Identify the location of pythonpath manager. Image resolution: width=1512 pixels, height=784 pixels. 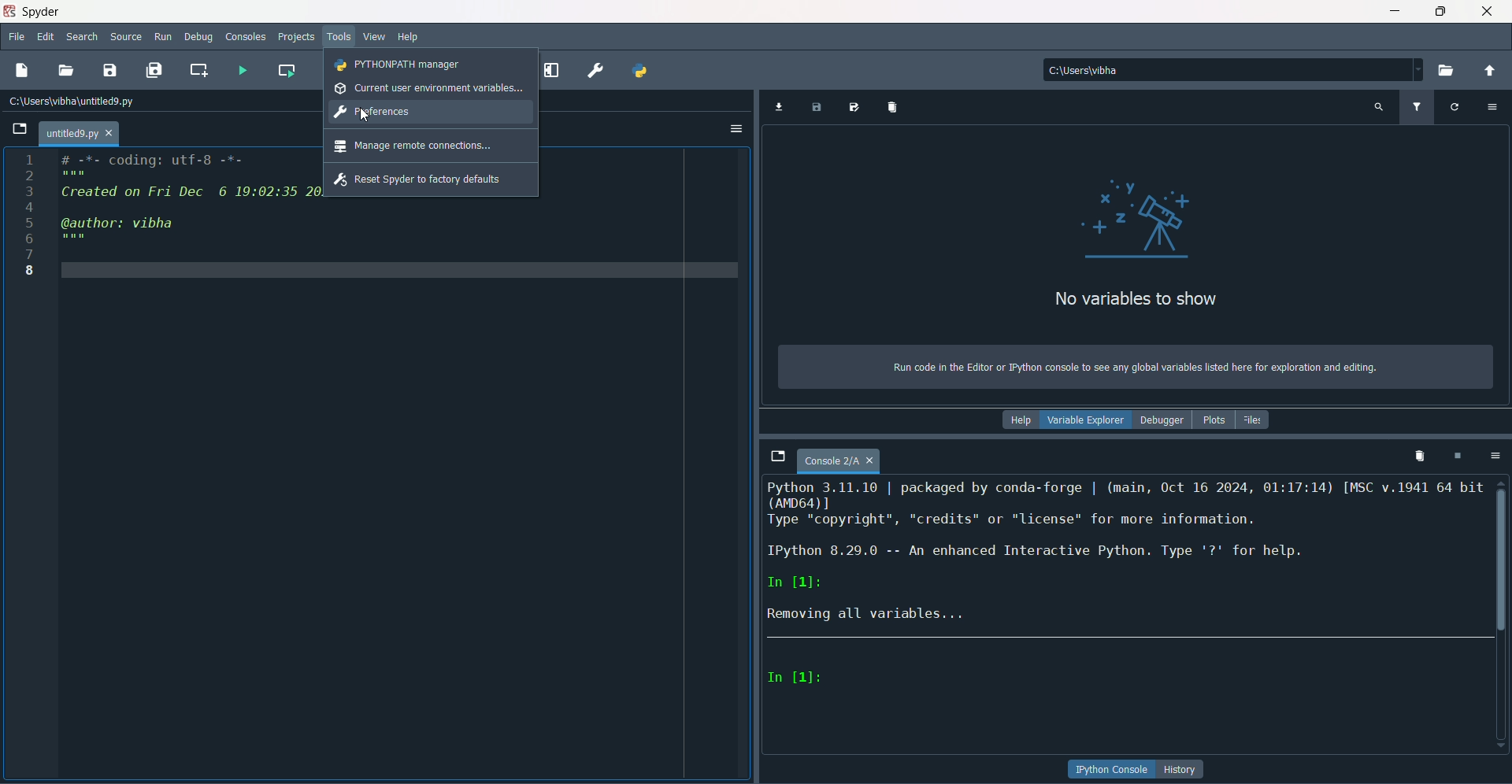
(642, 72).